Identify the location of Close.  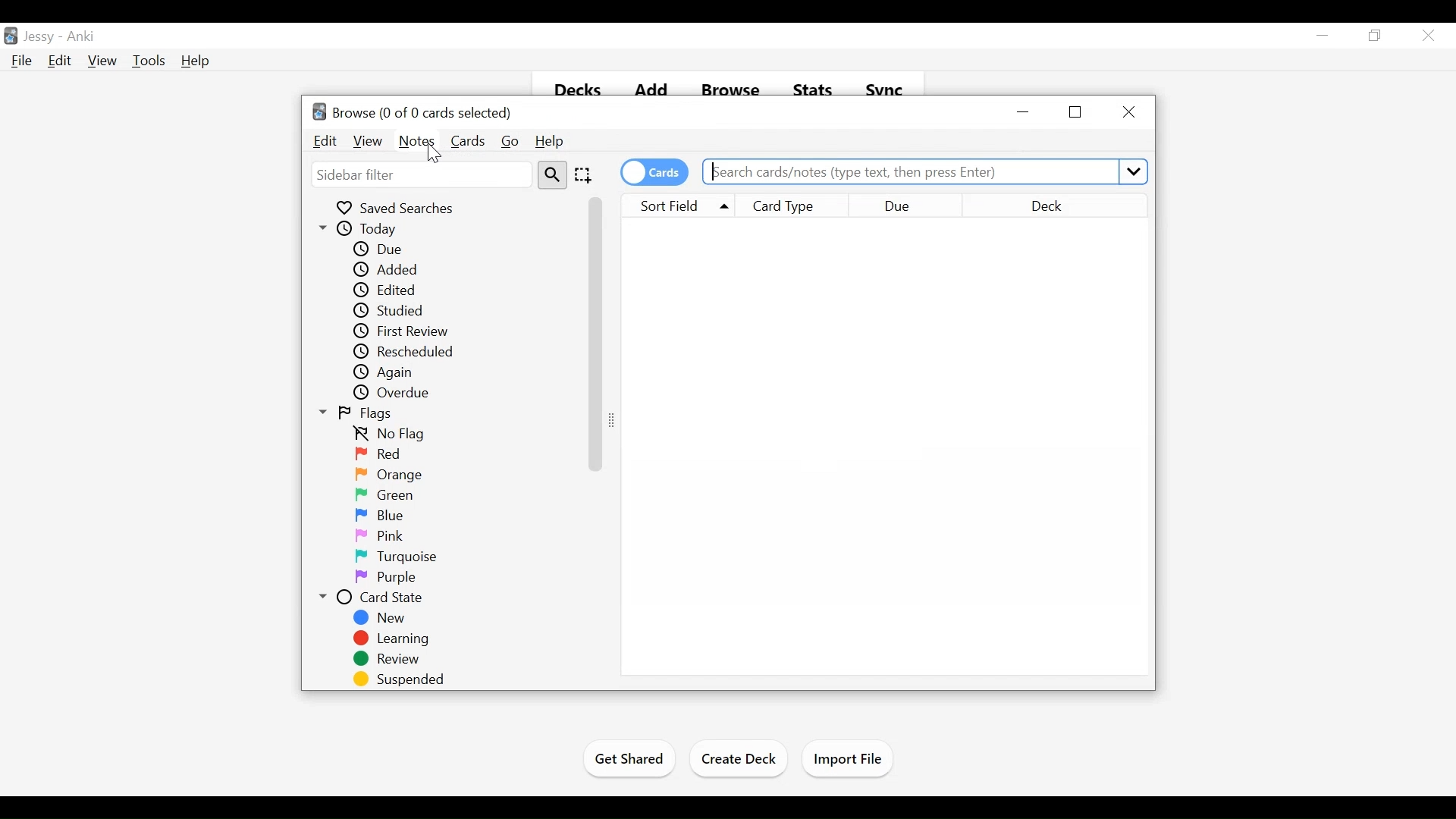
(1426, 35).